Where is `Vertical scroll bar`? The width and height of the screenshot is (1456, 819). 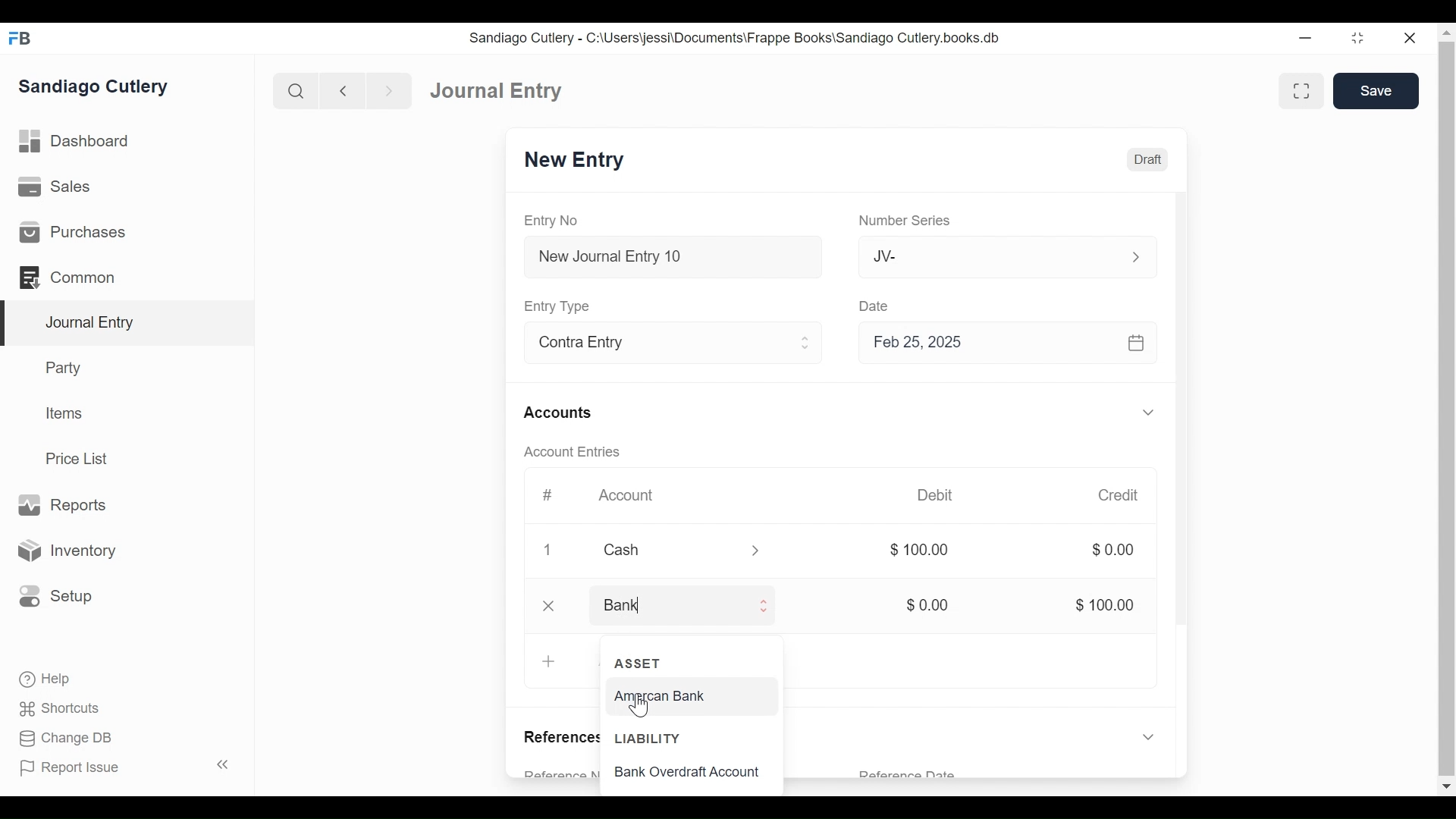
Vertical scroll bar is located at coordinates (1447, 356).